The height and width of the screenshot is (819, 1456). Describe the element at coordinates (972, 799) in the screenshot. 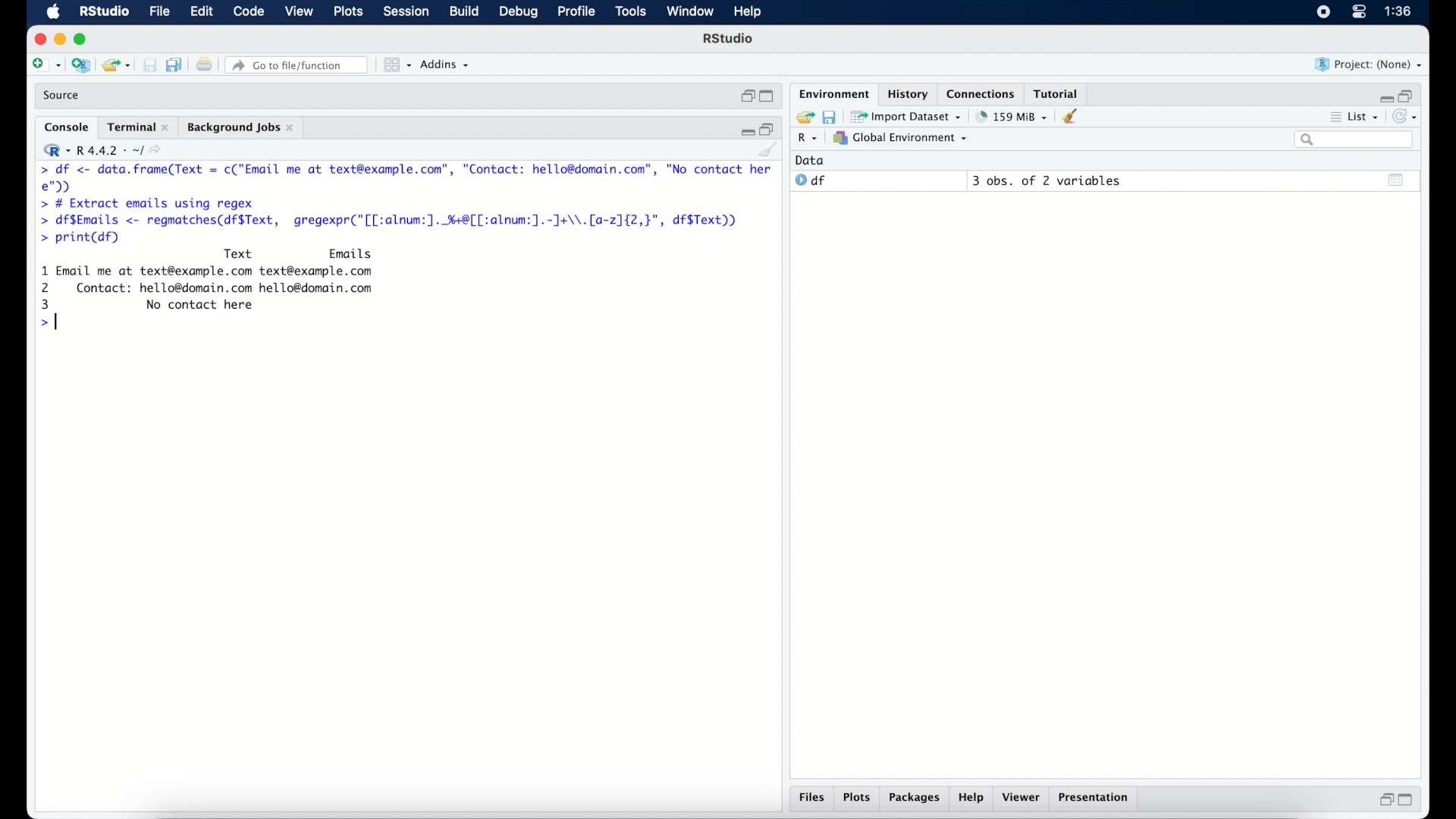

I see `help` at that location.